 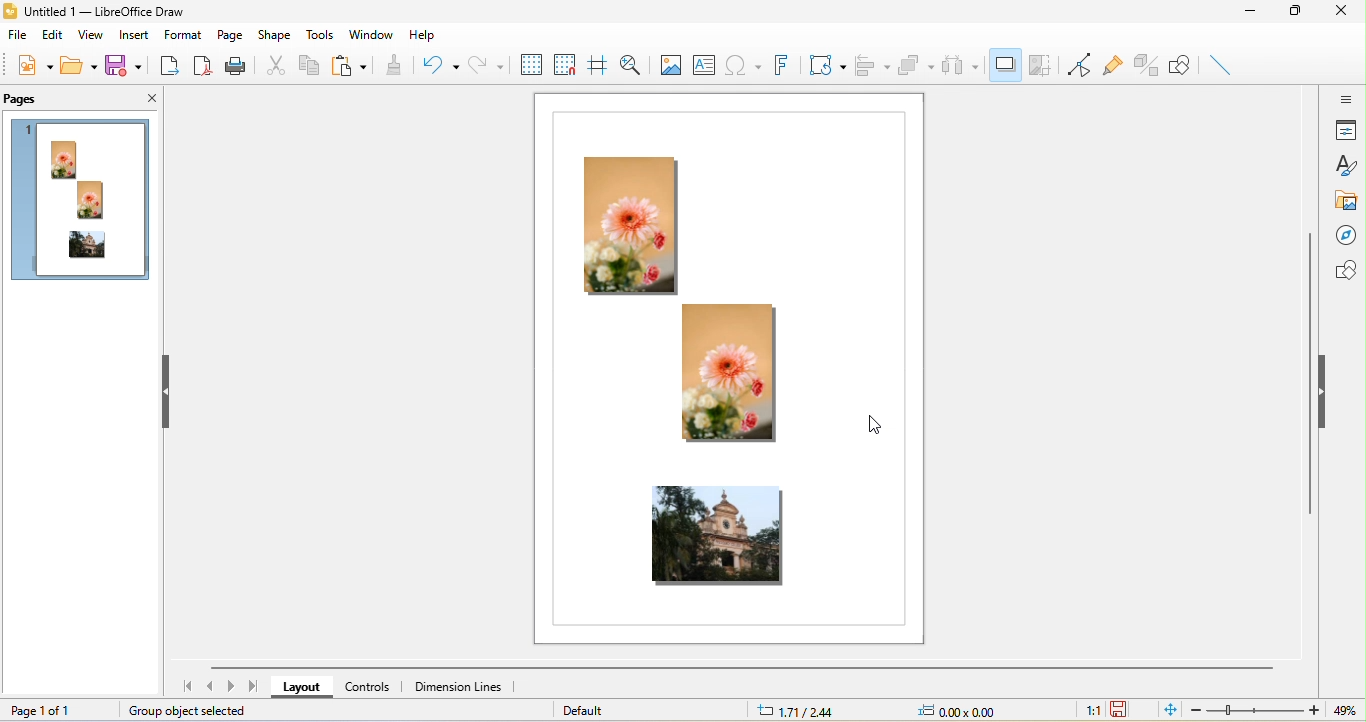 What do you see at coordinates (1114, 66) in the screenshot?
I see `gluepoint function` at bounding box center [1114, 66].